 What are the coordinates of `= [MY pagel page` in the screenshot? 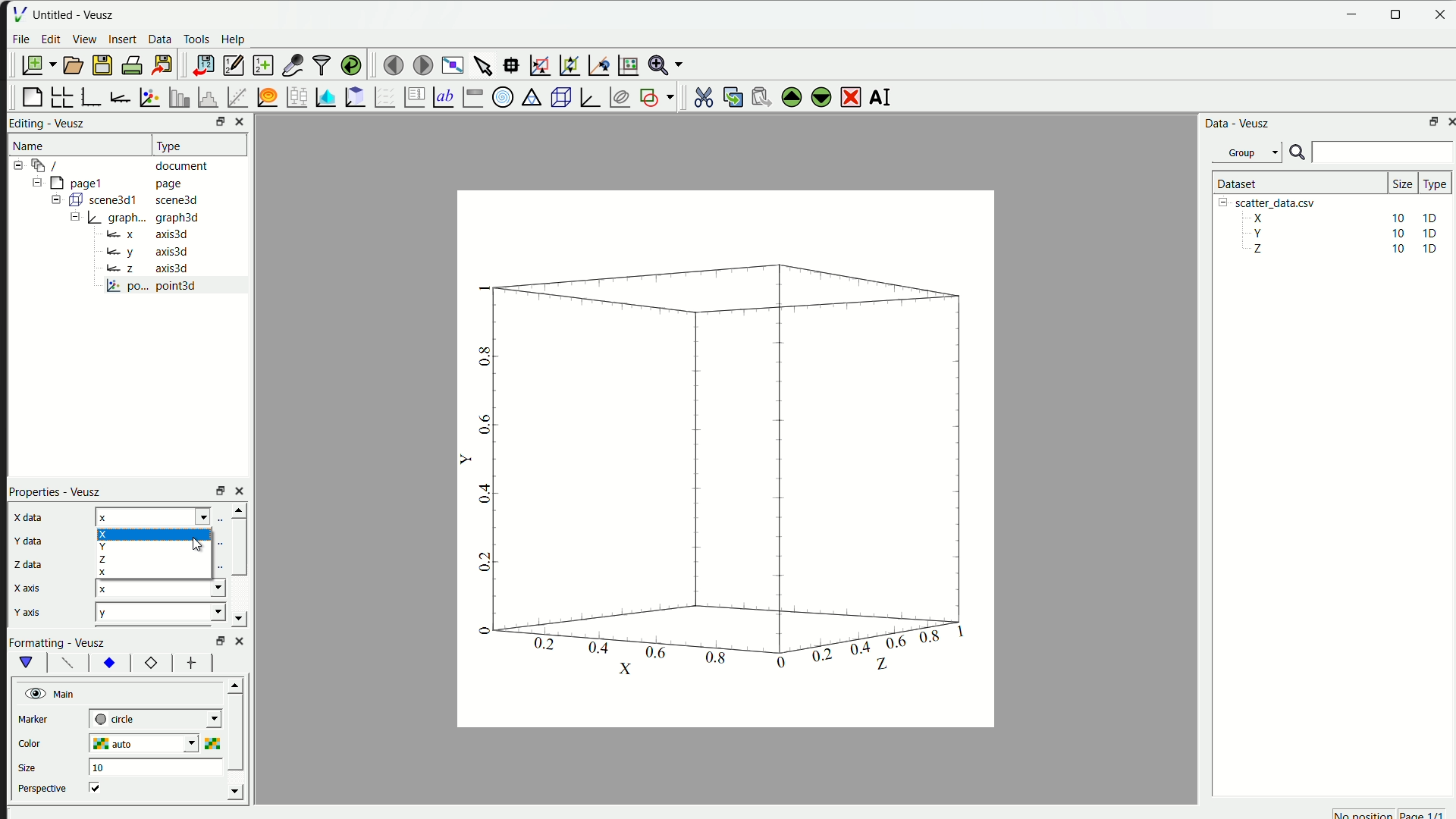 It's located at (117, 181).